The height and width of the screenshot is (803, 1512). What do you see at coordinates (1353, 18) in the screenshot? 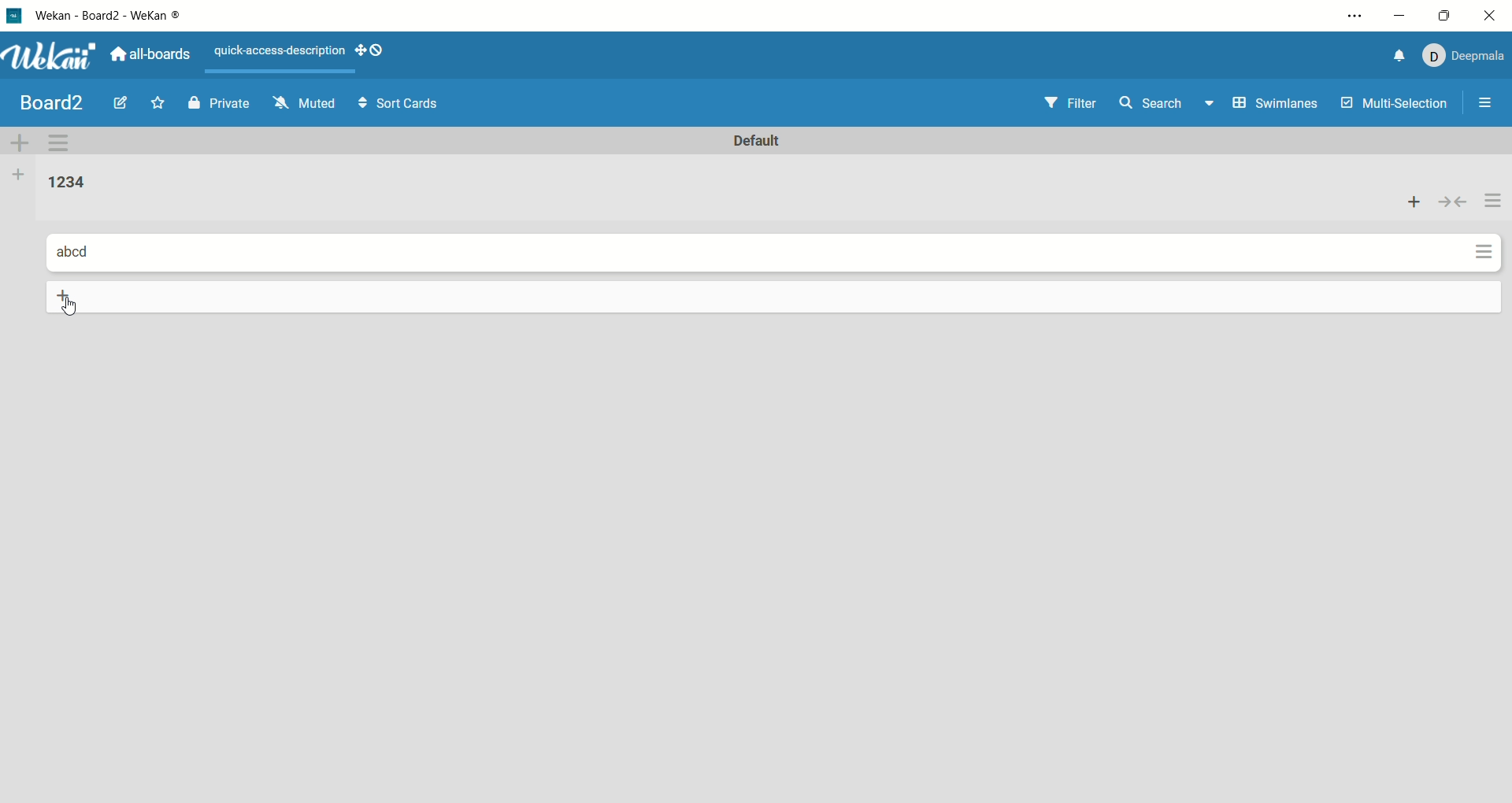
I see `settings and more` at bounding box center [1353, 18].